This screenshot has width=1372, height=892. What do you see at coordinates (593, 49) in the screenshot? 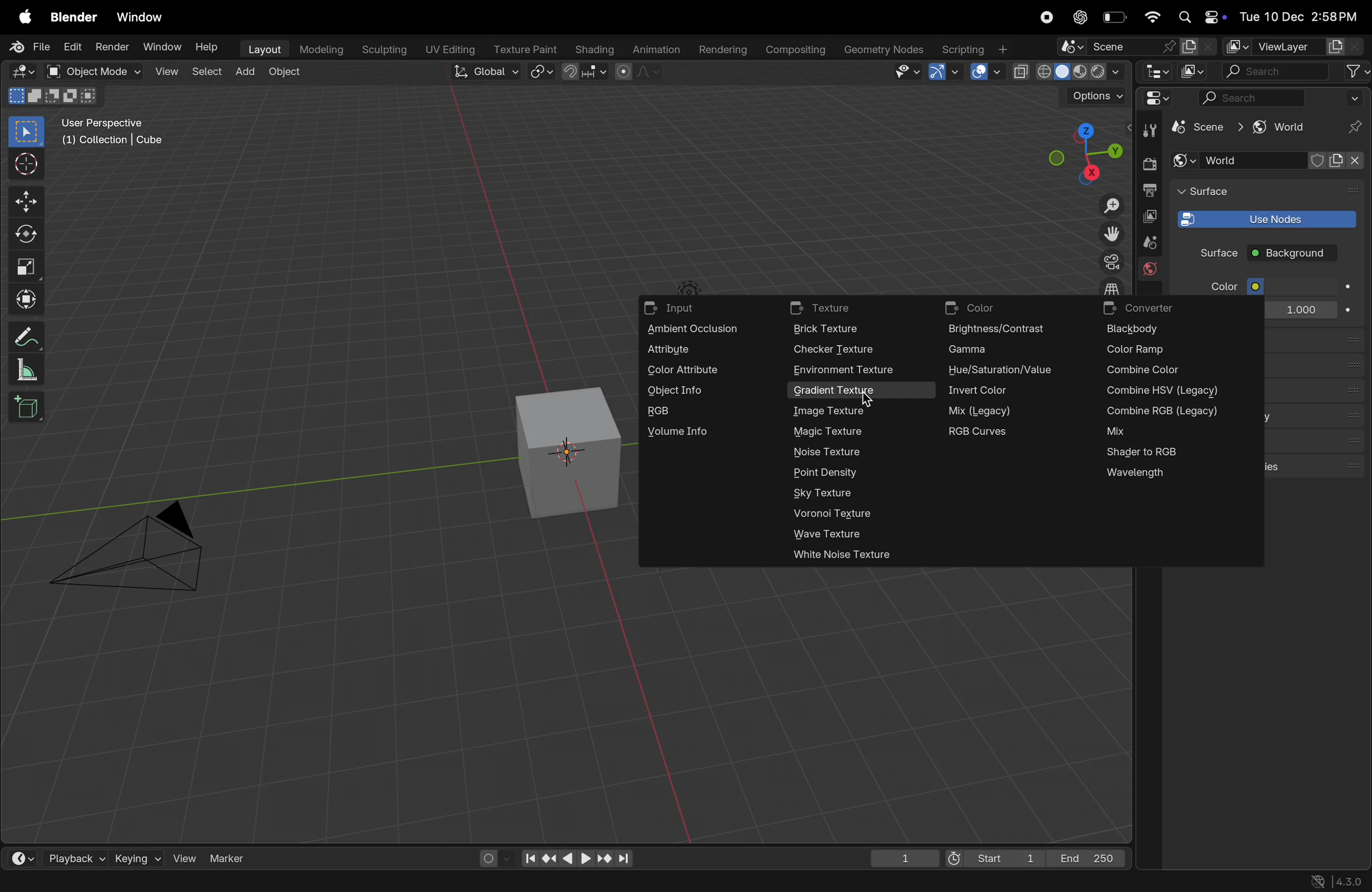
I see `Shading` at bounding box center [593, 49].